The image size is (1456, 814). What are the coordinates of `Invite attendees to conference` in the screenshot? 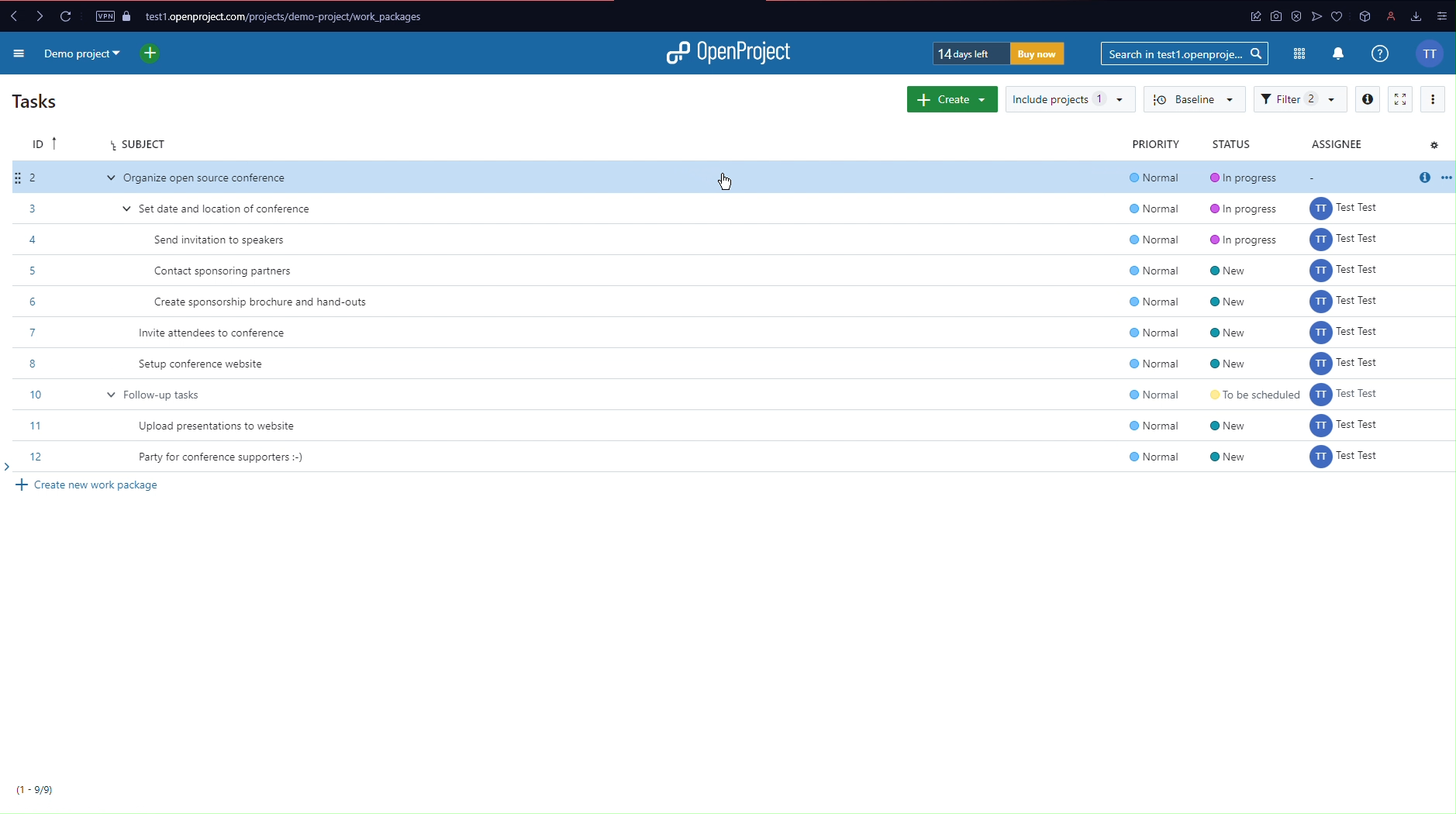 It's located at (213, 332).